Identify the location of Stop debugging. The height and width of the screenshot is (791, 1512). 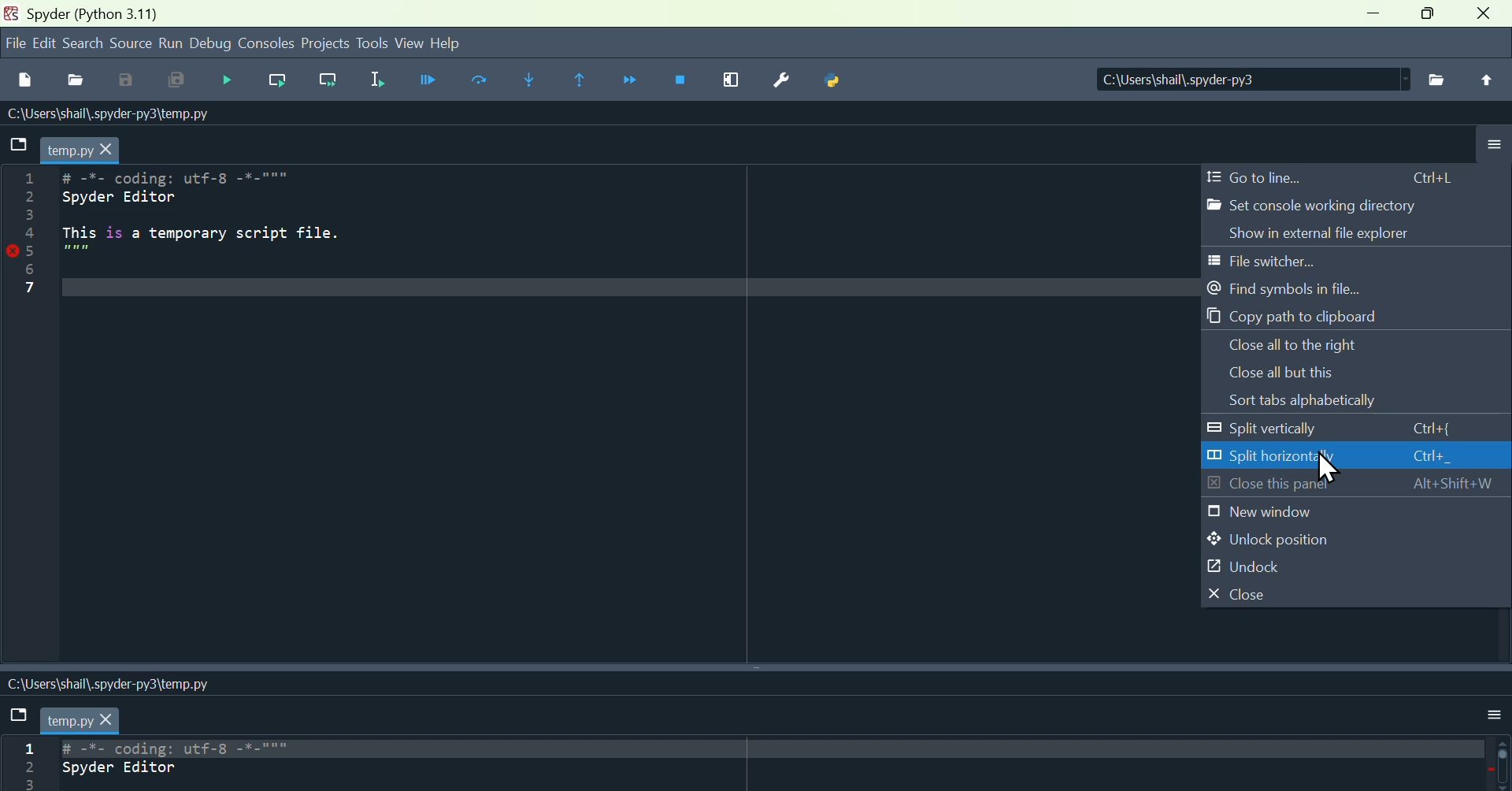
(685, 84).